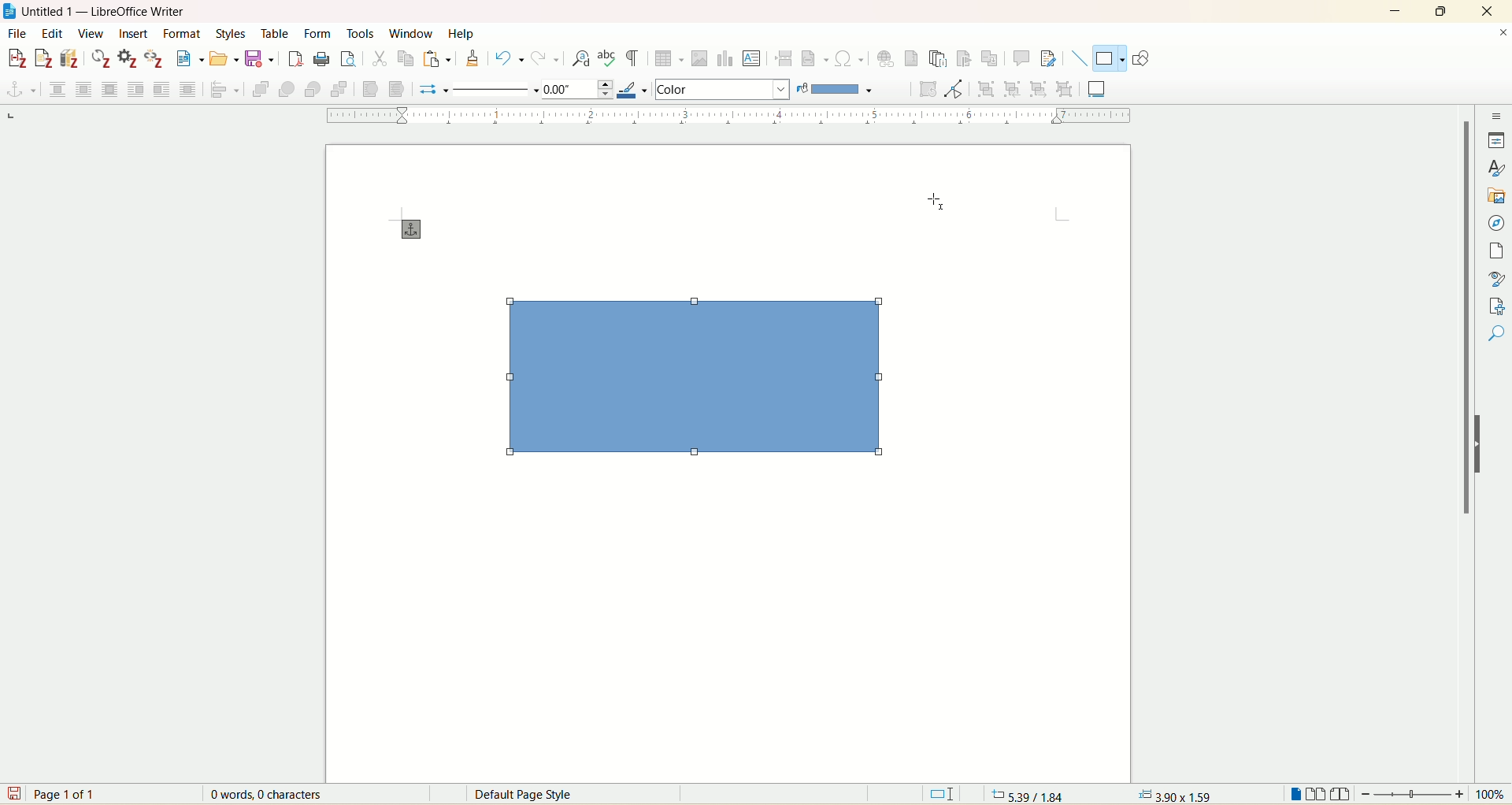 The height and width of the screenshot is (805, 1512). What do you see at coordinates (1498, 167) in the screenshot?
I see `styles` at bounding box center [1498, 167].